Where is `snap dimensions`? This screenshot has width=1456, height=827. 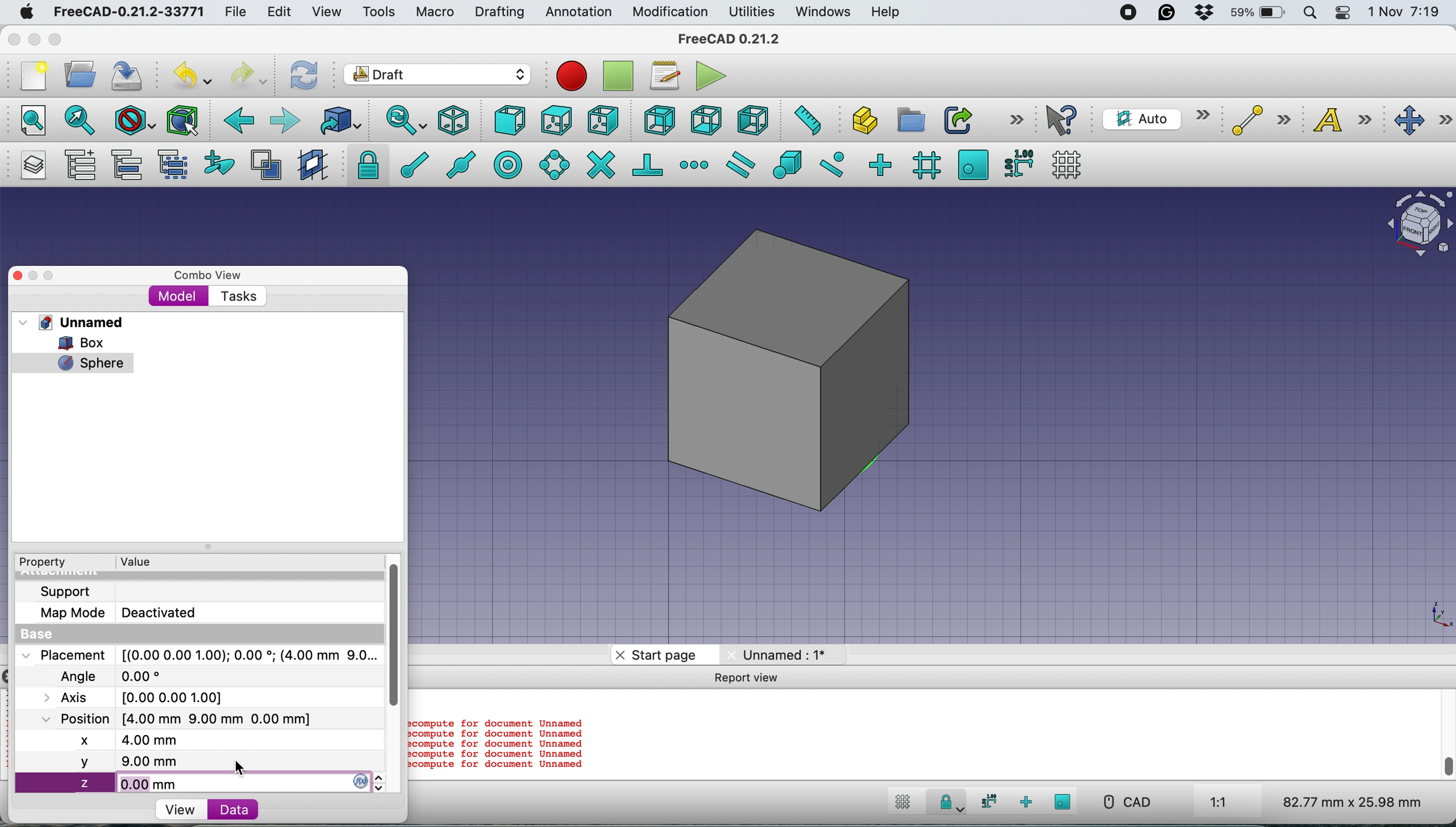 snap dimensions is located at coordinates (986, 801).